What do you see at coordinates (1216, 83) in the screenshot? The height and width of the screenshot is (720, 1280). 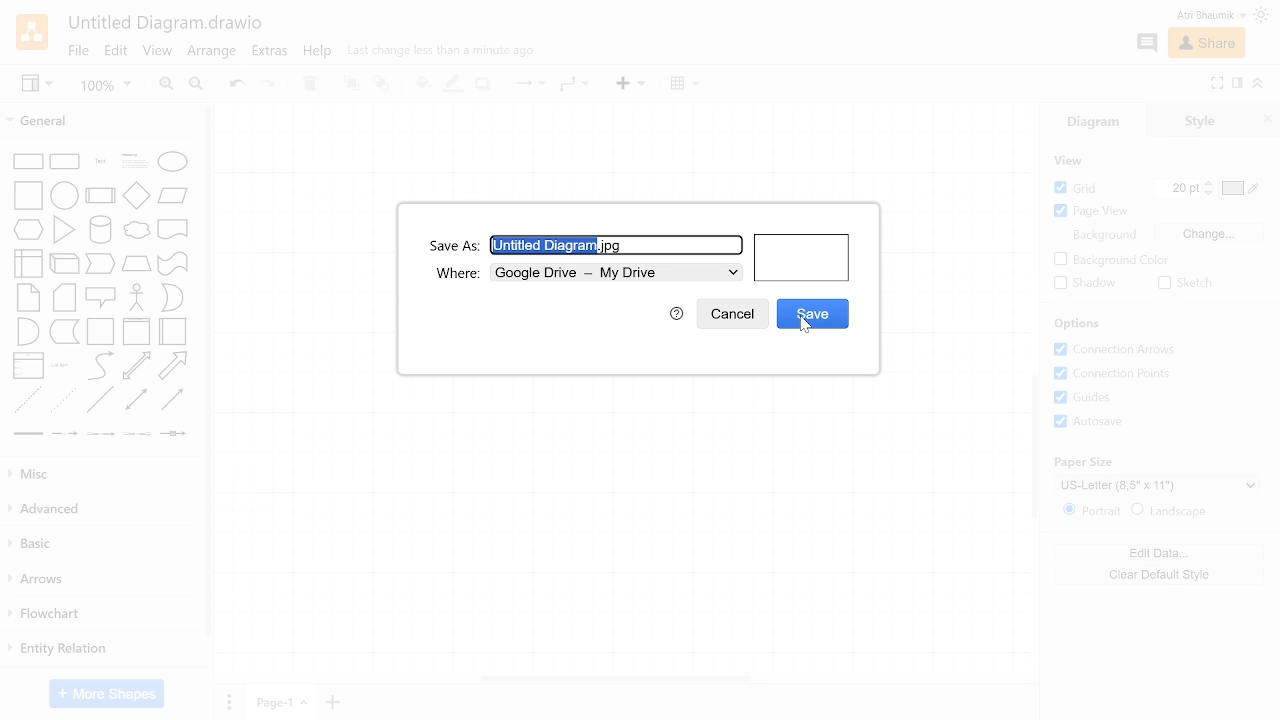 I see `Fullscreen` at bounding box center [1216, 83].